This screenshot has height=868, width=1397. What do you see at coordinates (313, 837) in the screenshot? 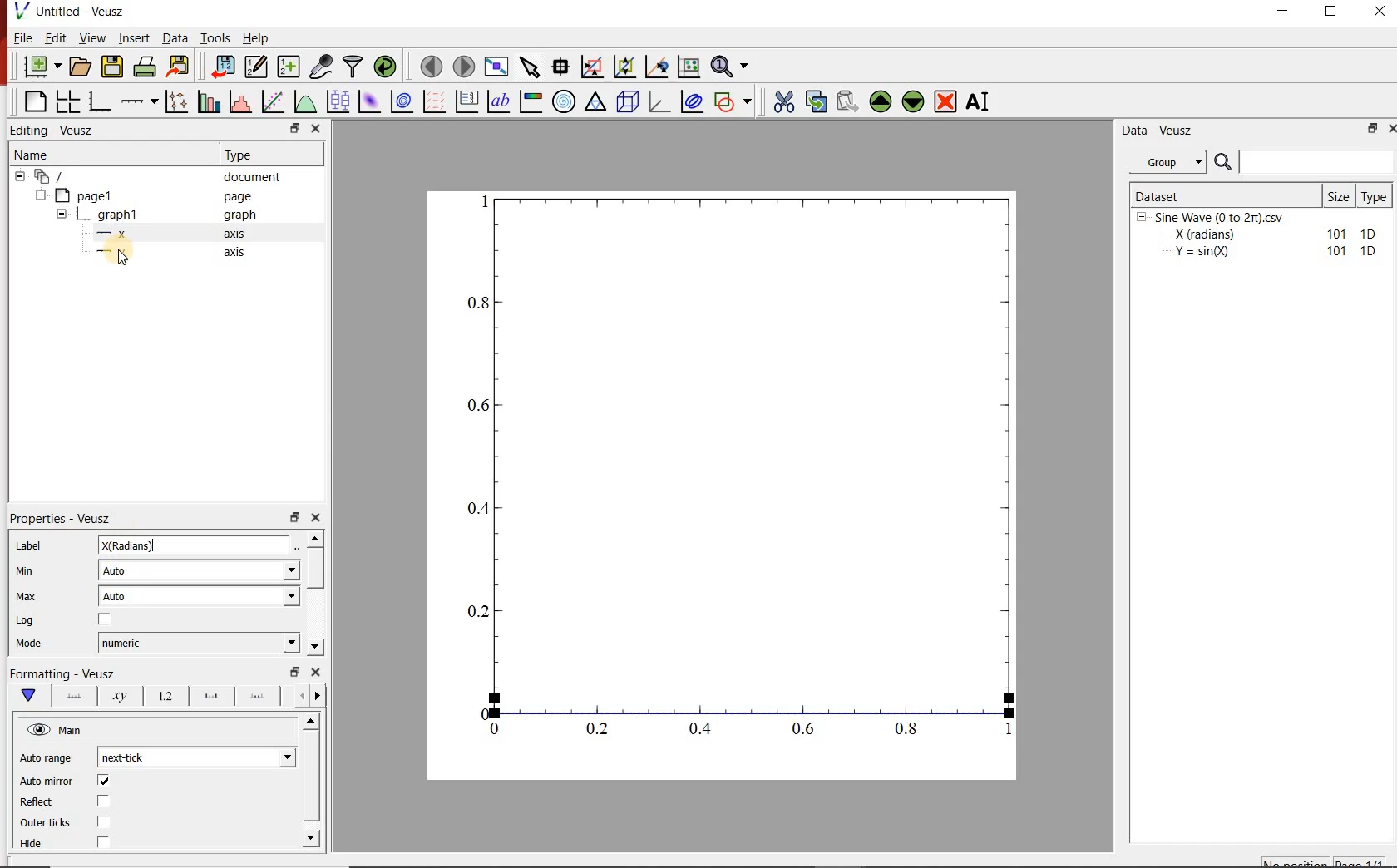
I see `Down` at bounding box center [313, 837].